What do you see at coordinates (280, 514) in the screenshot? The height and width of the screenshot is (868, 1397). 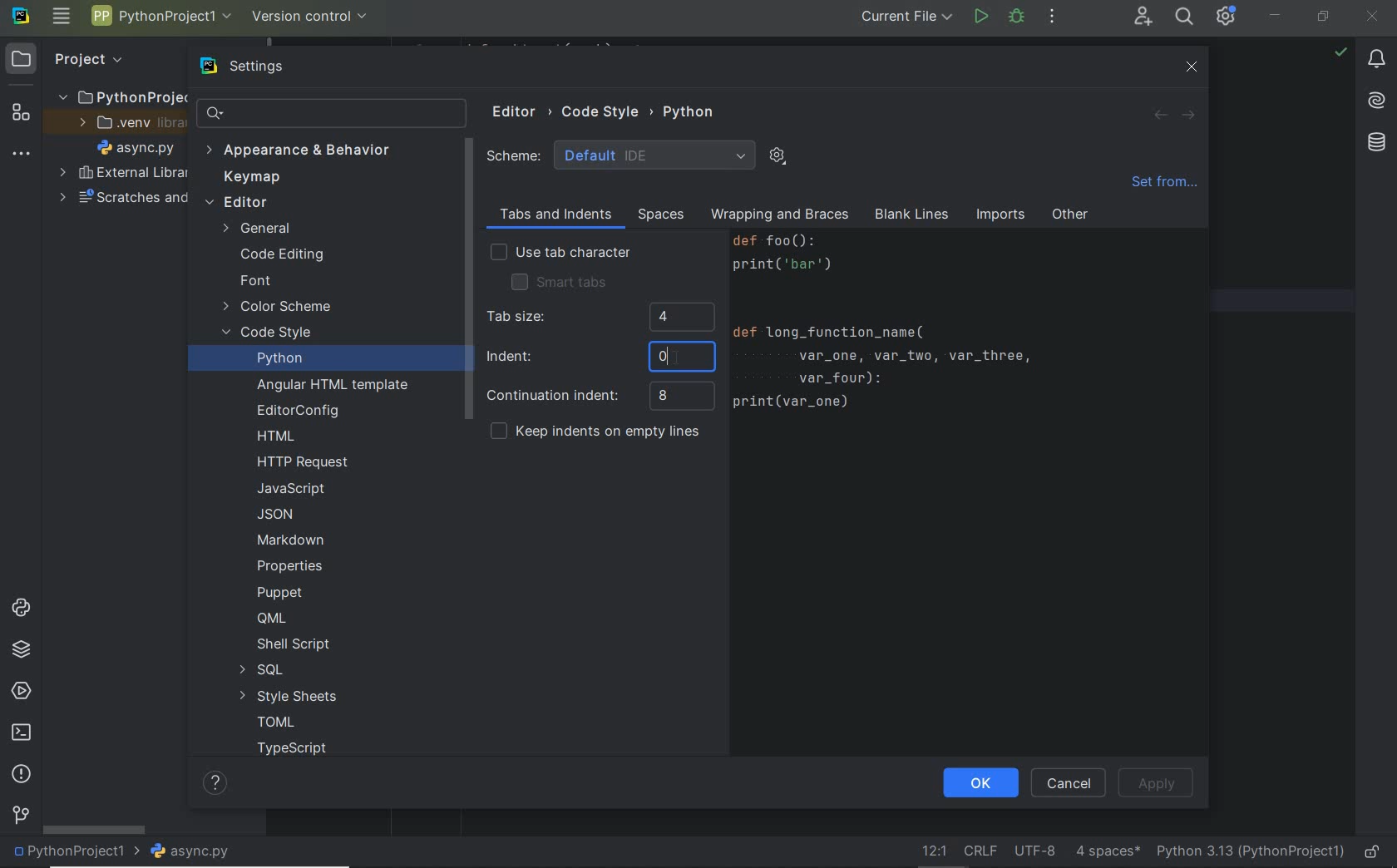 I see `JSON` at bounding box center [280, 514].